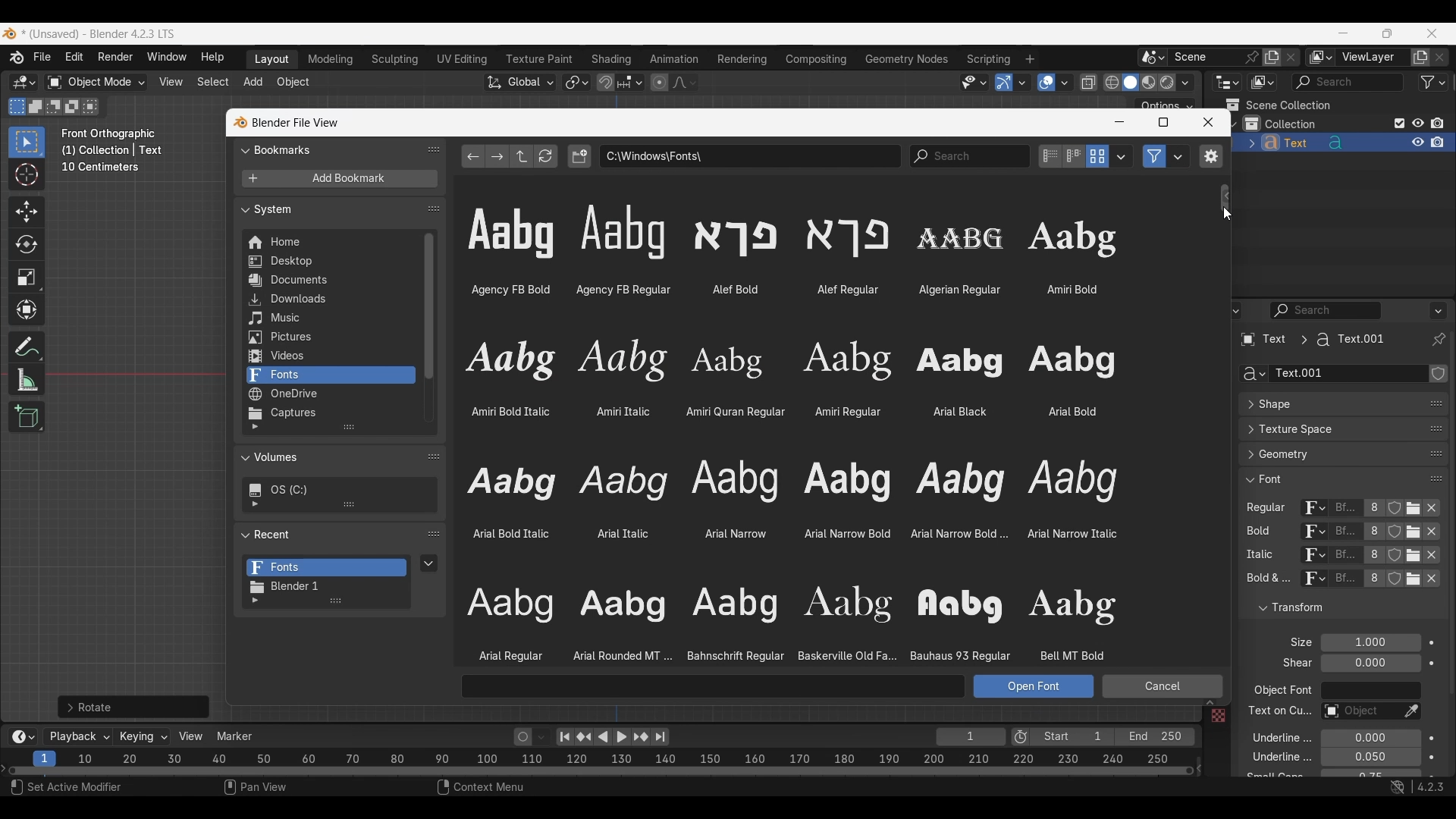 This screenshot has height=819, width=1456. Describe the element at coordinates (1344, 143) in the screenshot. I see `Text object added to collection` at that location.